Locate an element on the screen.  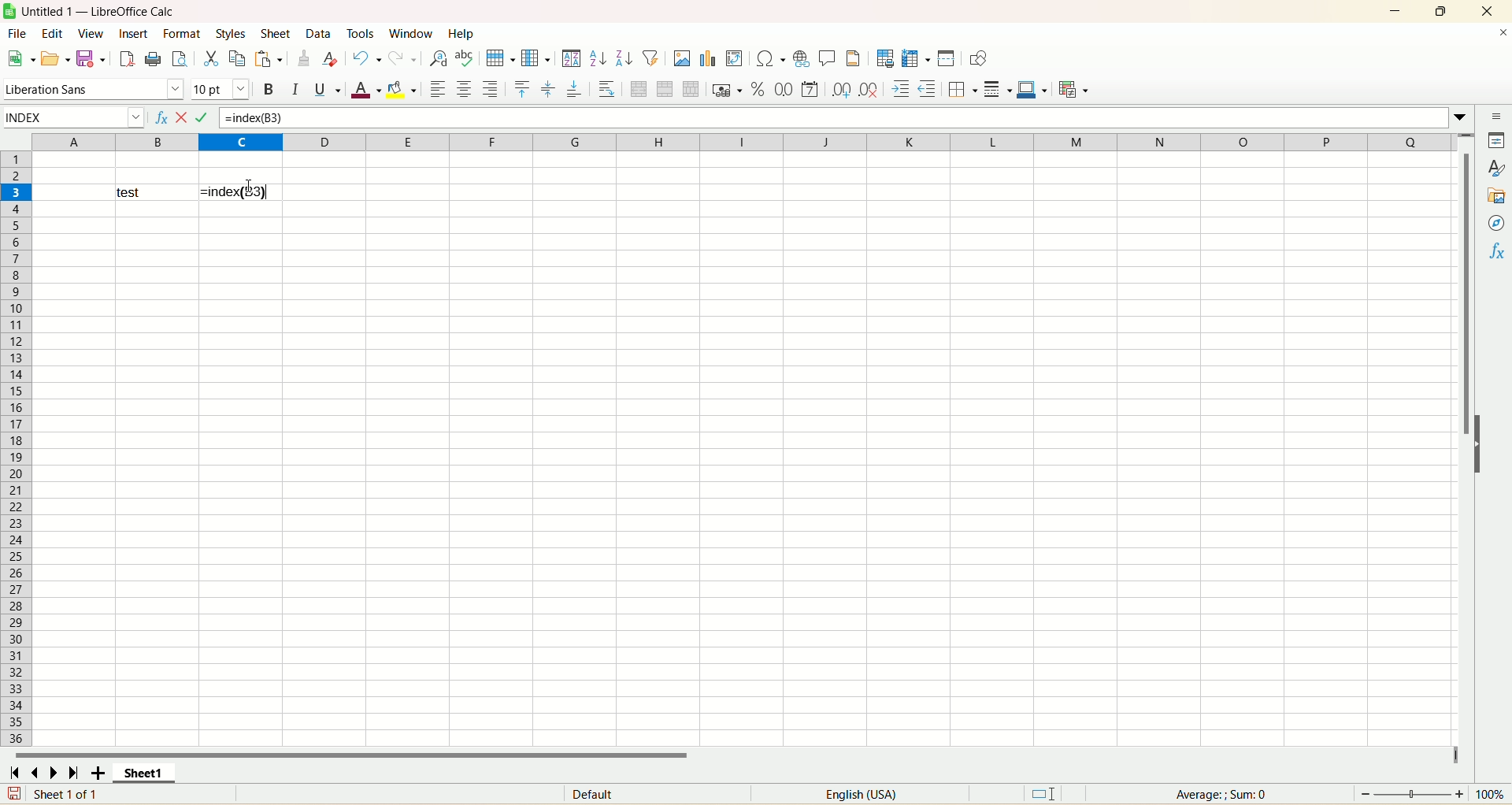
Formula is located at coordinates (210, 118).